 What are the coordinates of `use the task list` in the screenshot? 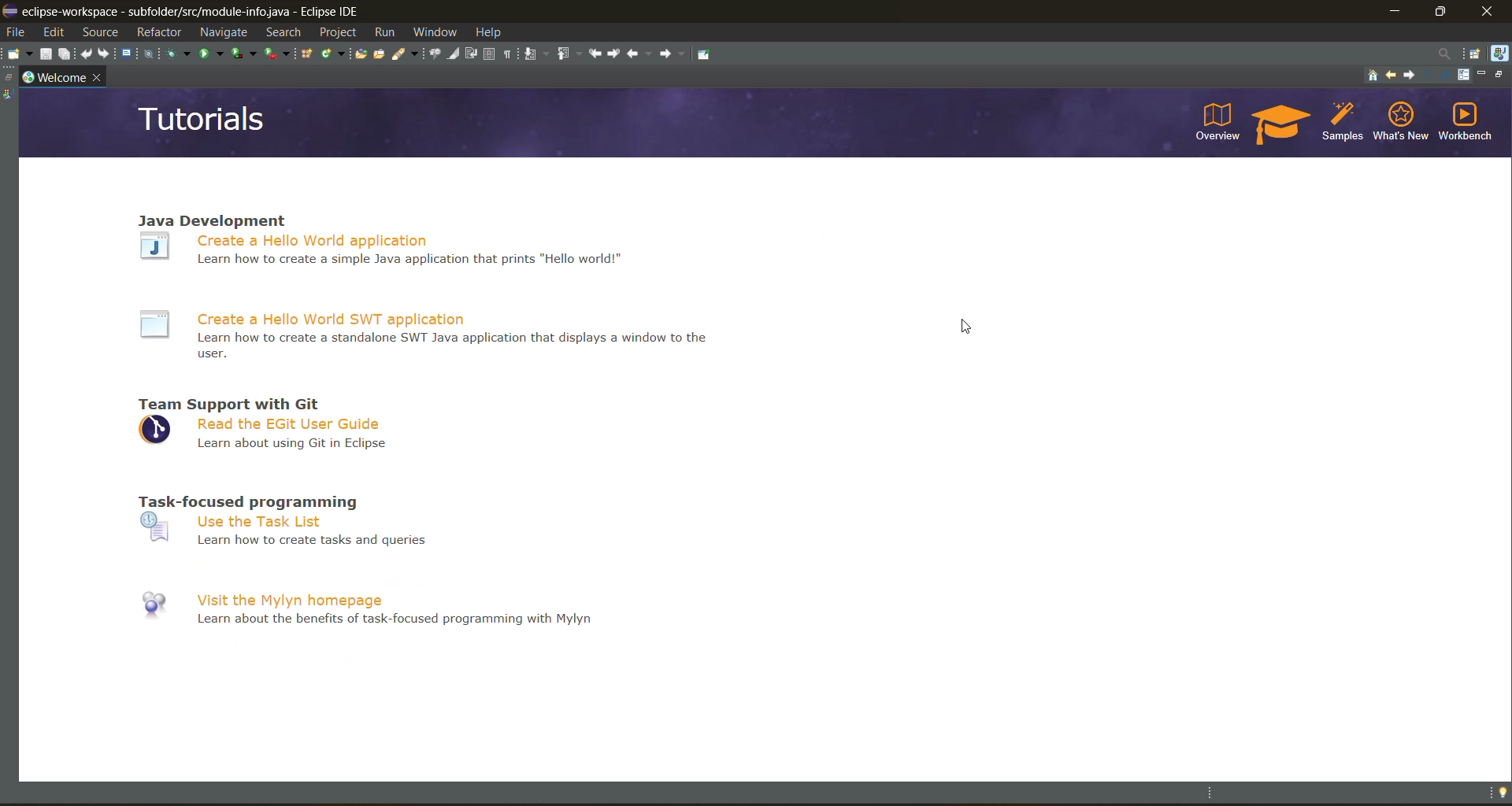 It's located at (282, 530).